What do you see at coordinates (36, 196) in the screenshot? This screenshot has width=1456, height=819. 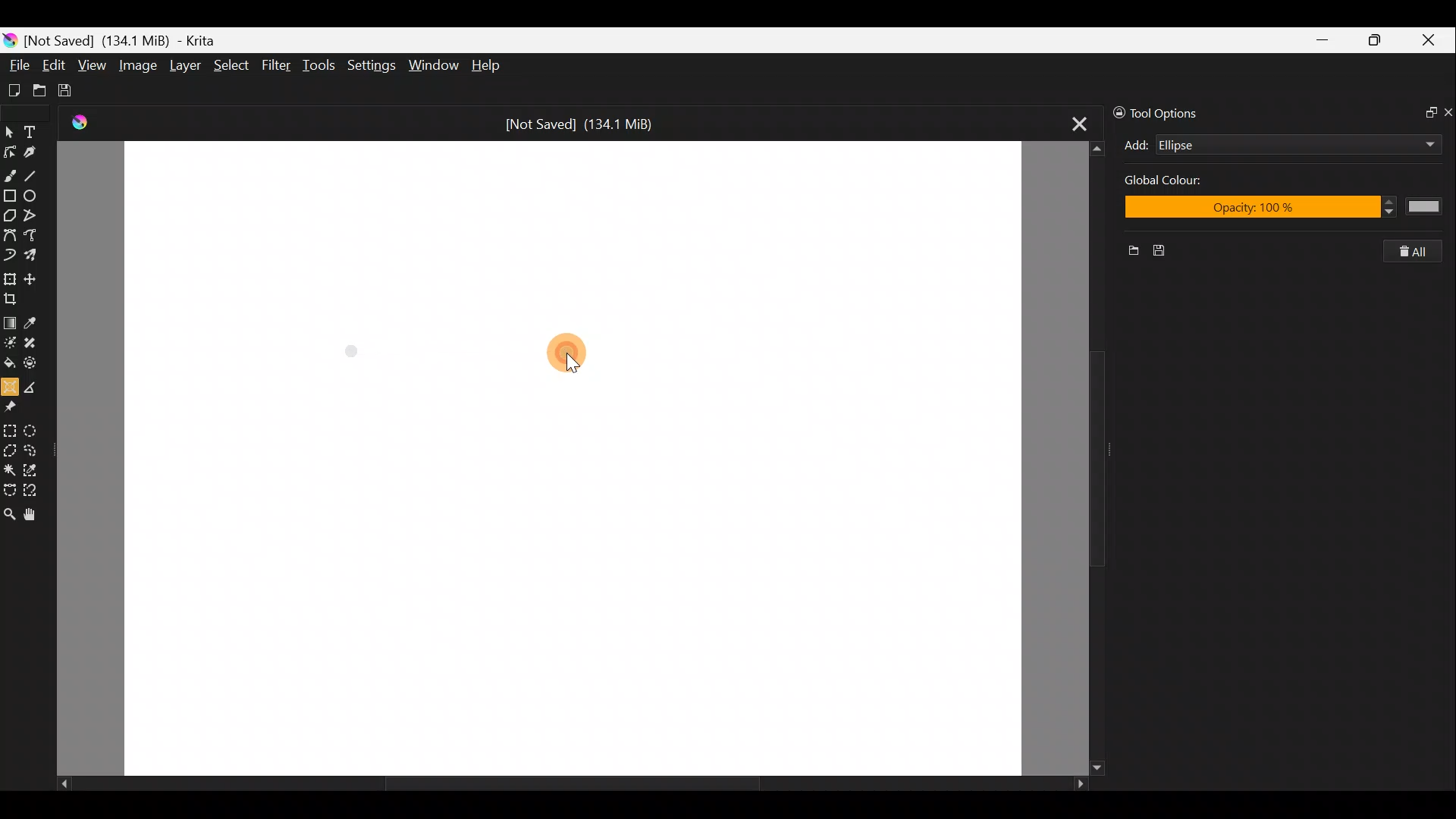 I see `Ellipse` at bounding box center [36, 196].